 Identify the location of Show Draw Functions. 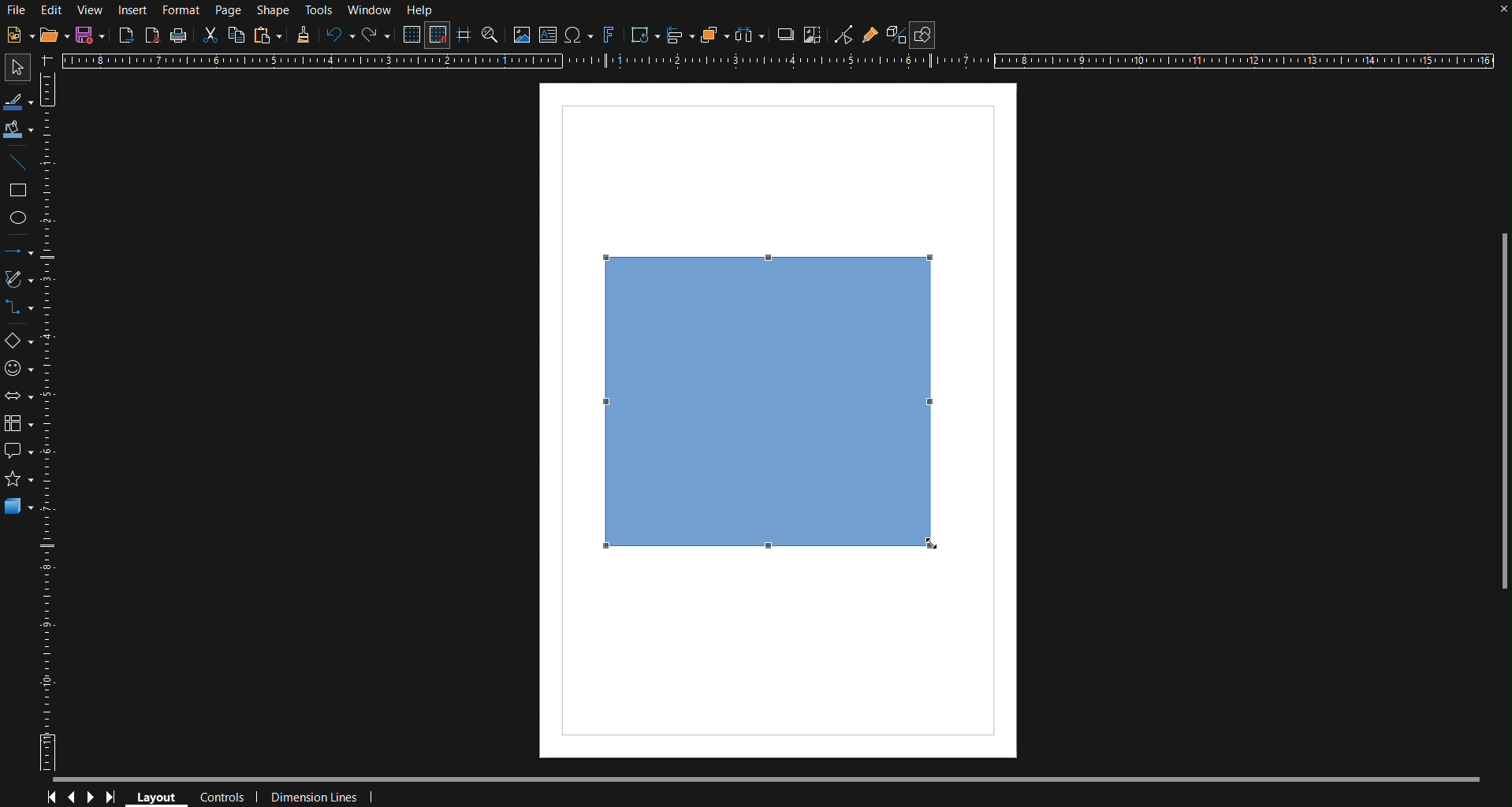
(923, 35).